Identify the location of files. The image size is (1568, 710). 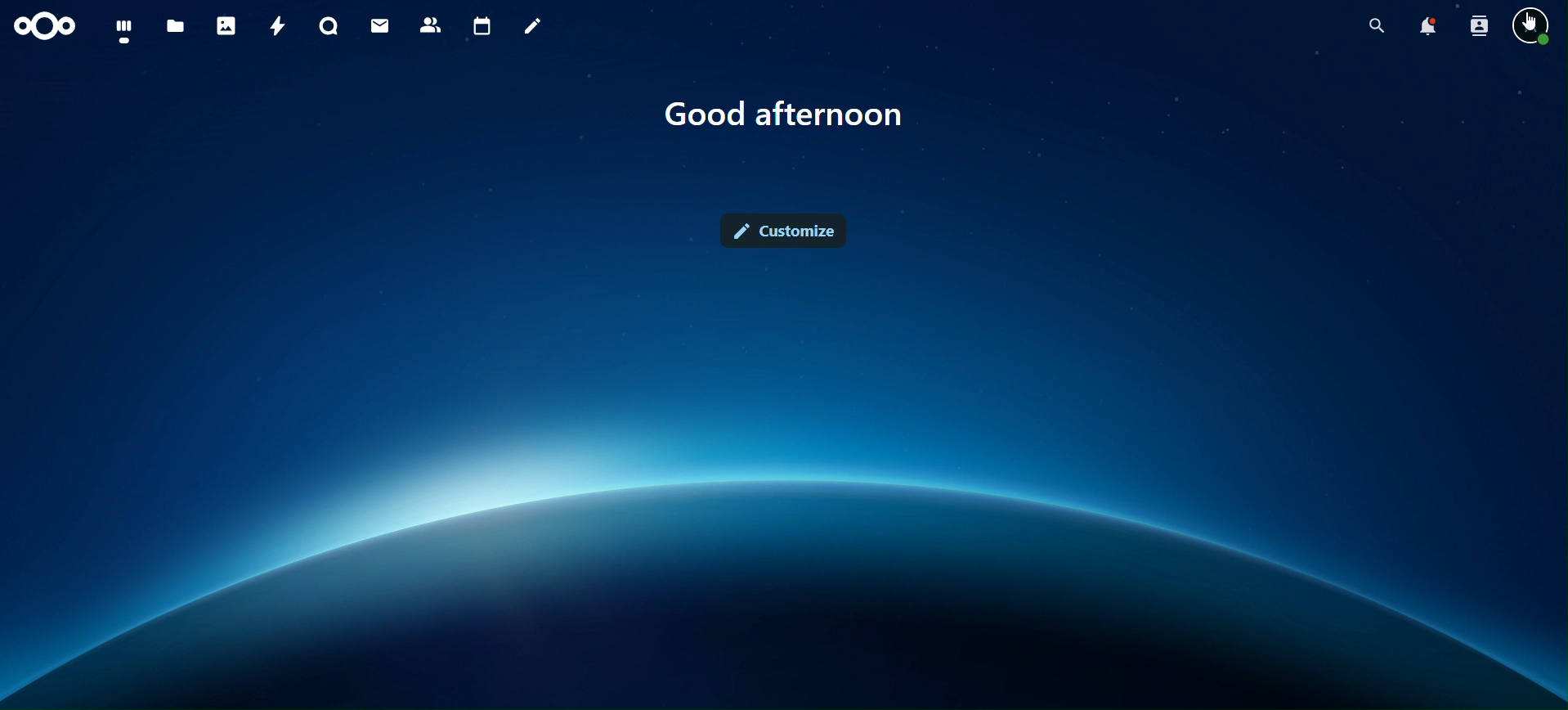
(174, 26).